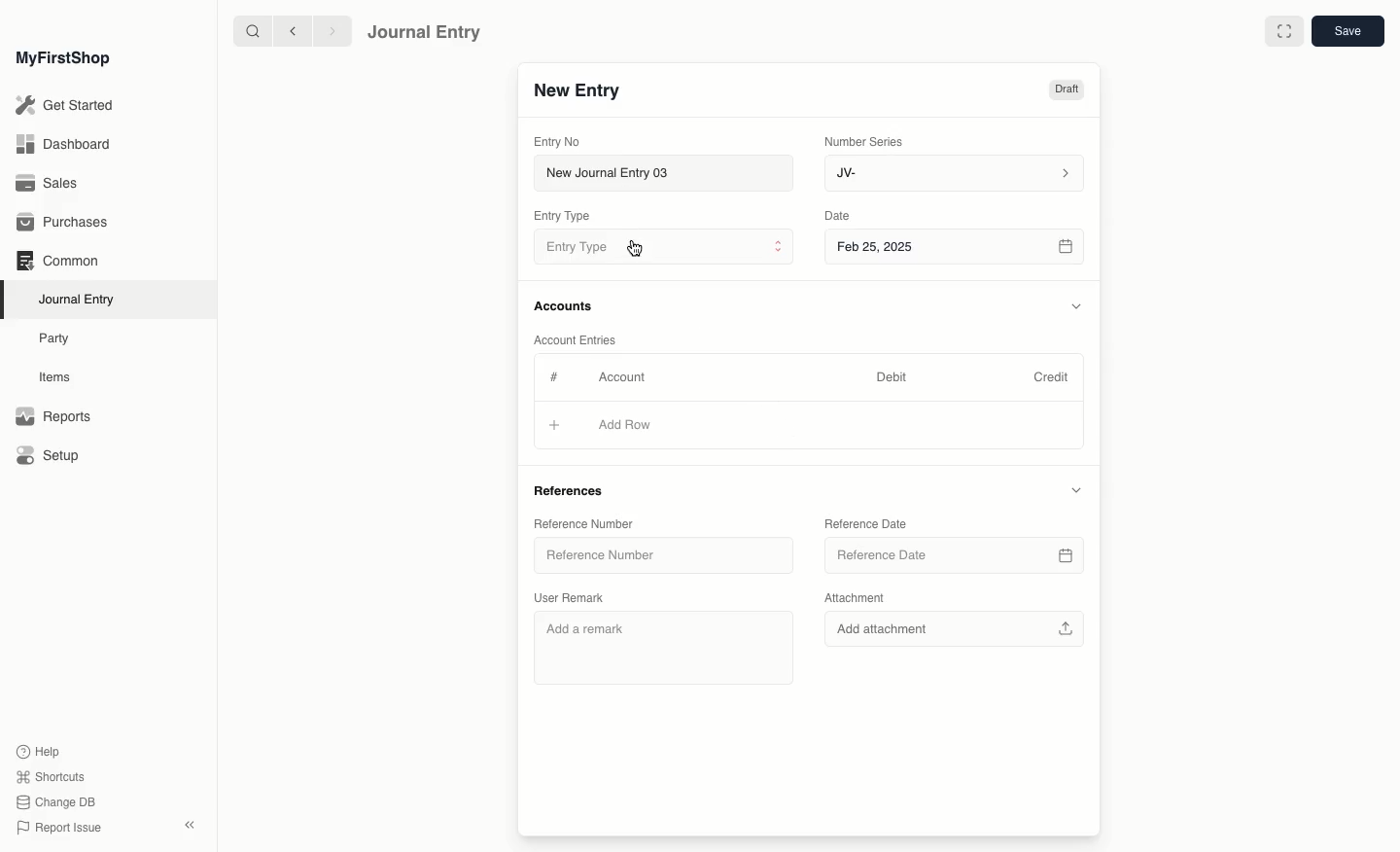 This screenshot has width=1400, height=852. Describe the element at coordinates (864, 140) in the screenshot. I see `‘Number Series` at that location.